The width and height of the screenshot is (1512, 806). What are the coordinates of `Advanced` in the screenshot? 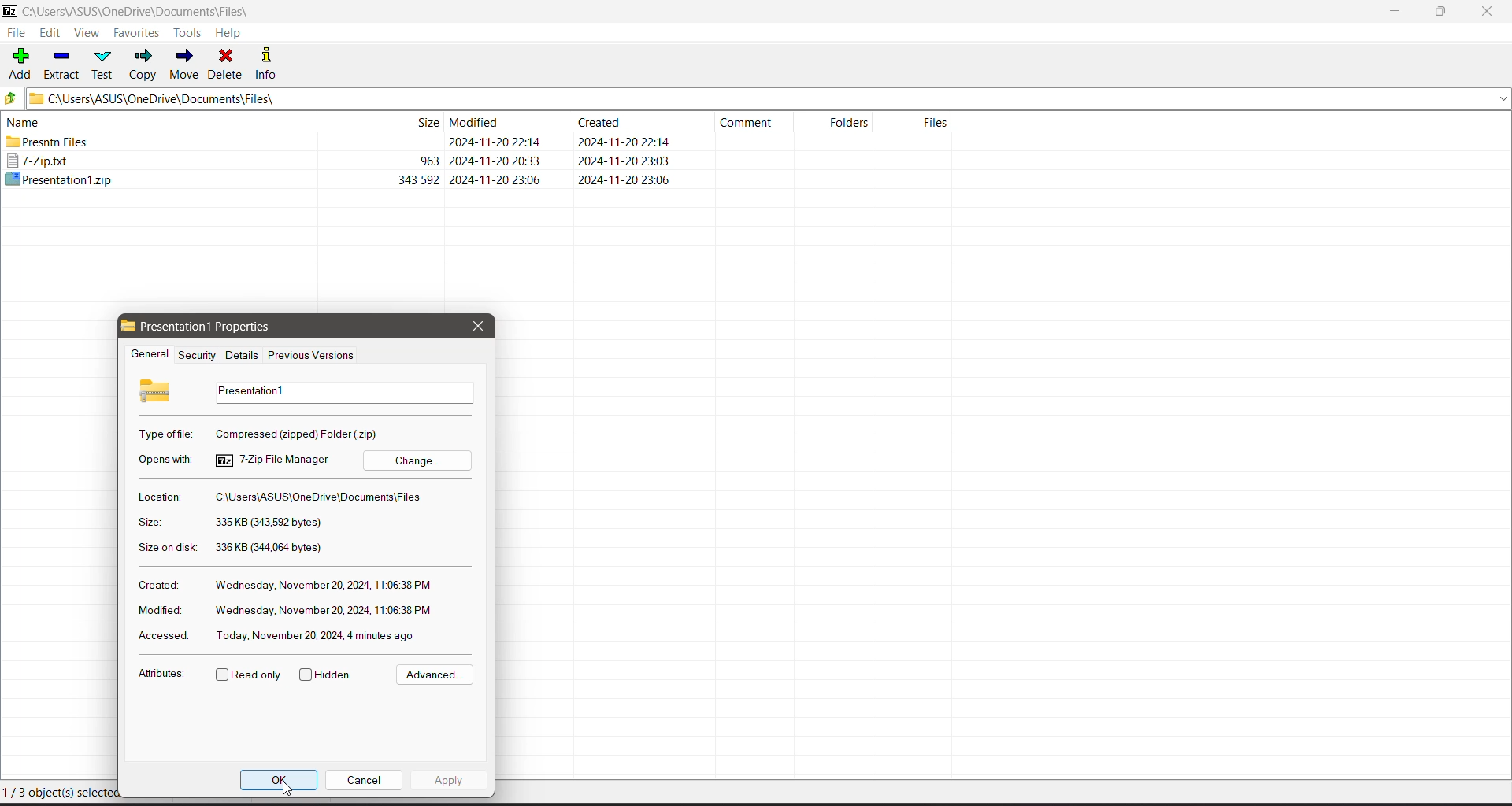 It's located at (432, 675).